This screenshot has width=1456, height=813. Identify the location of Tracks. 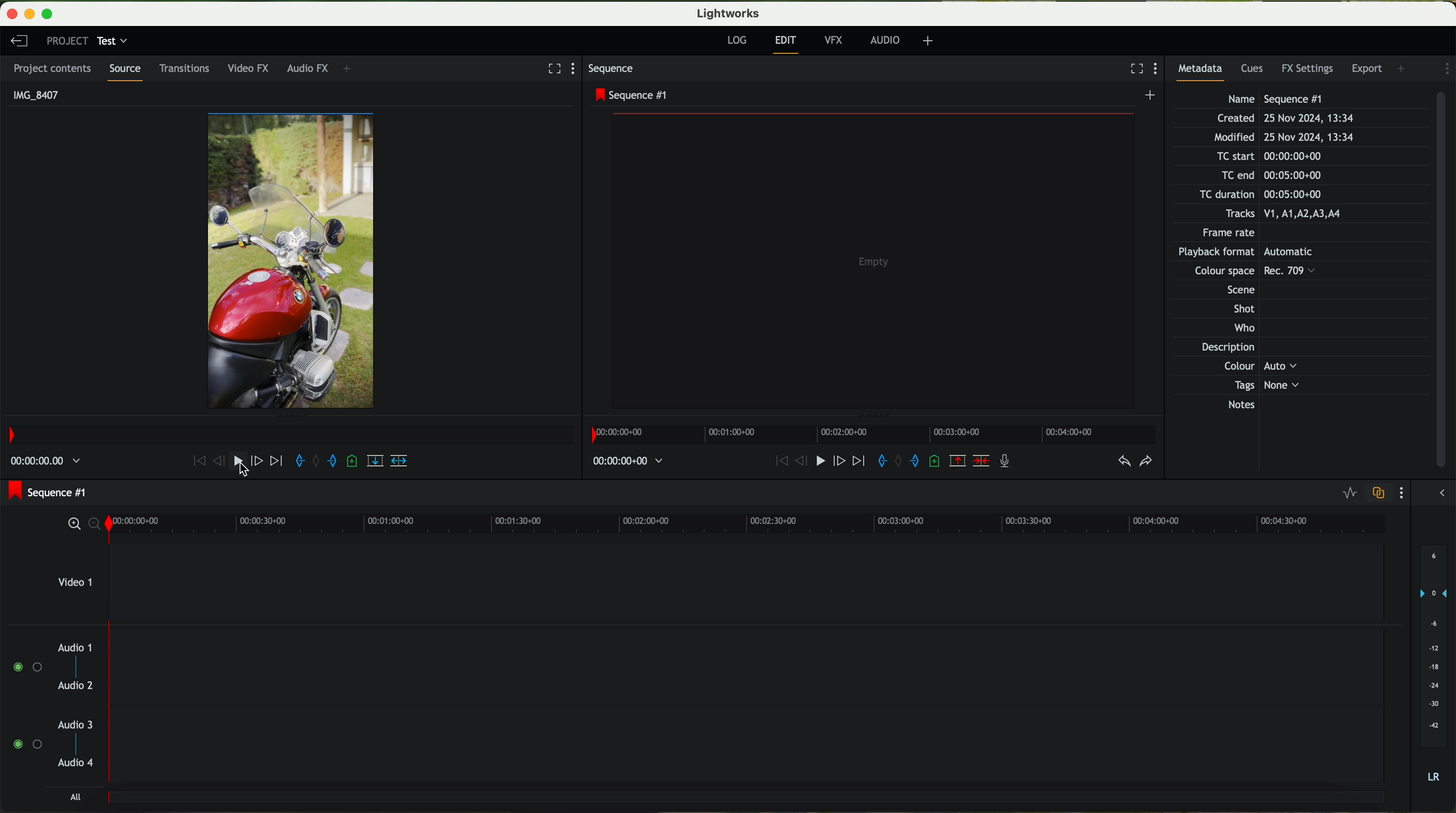
(1281, 214).